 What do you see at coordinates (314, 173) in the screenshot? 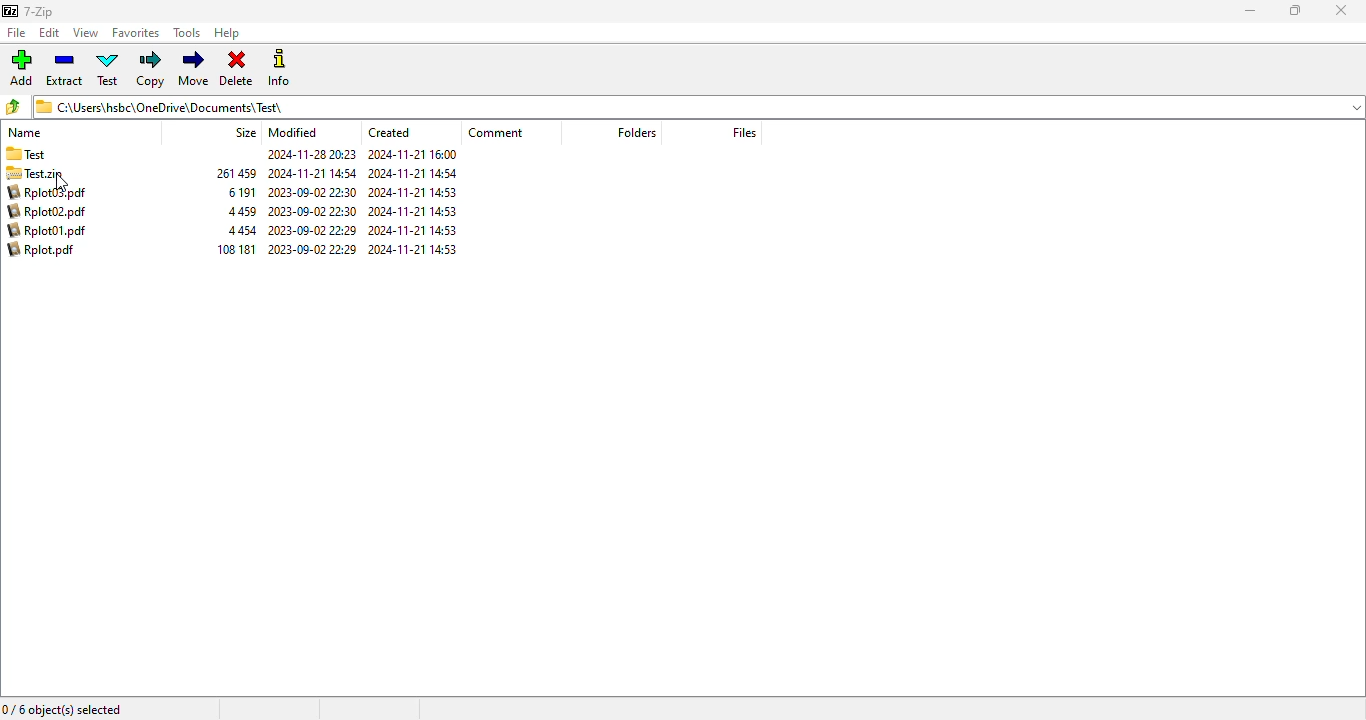
I see `2024-11-21 14:54` at bounding box center [314, 173].